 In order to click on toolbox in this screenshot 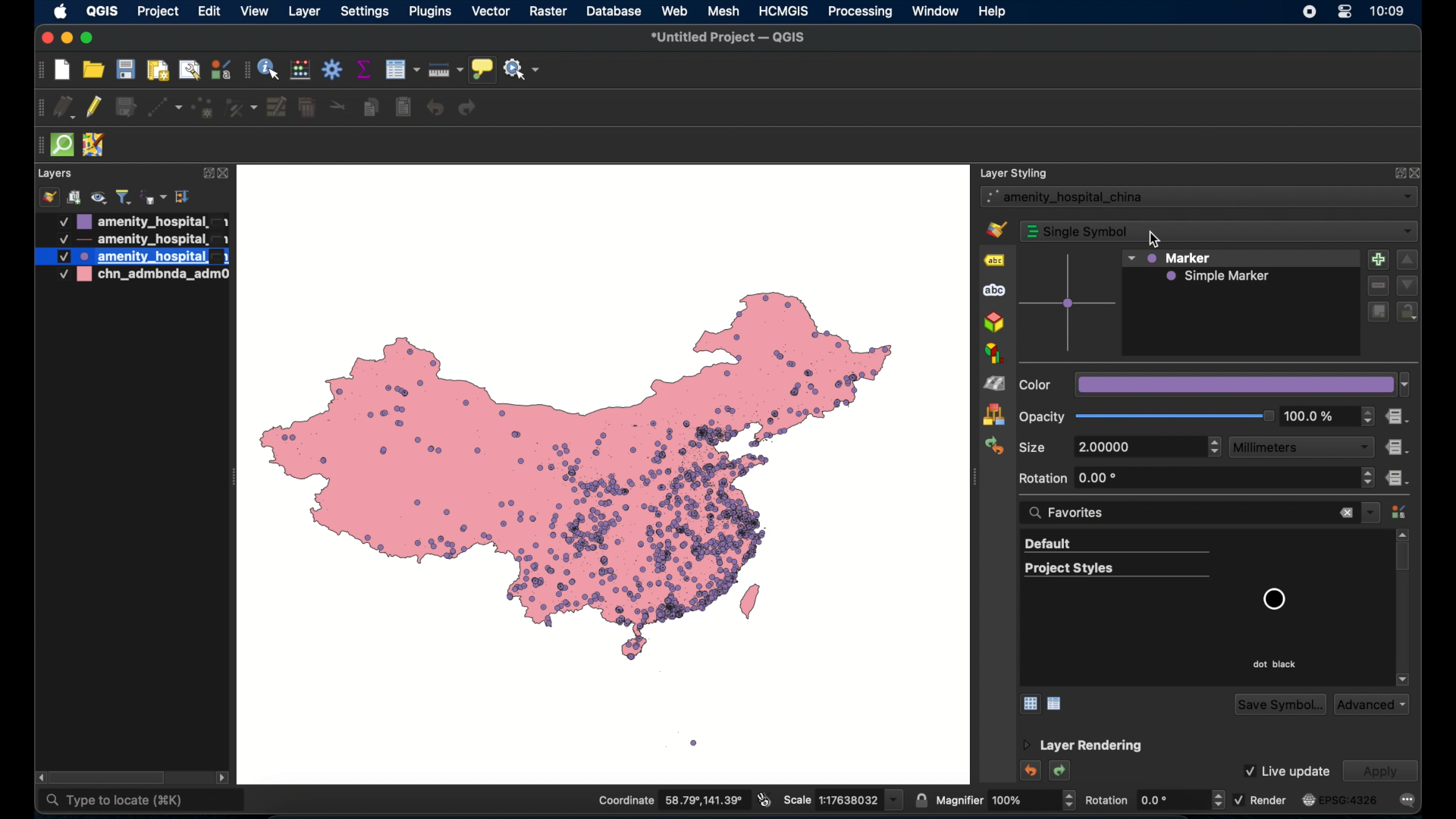, I will do `click(333, 69)`.